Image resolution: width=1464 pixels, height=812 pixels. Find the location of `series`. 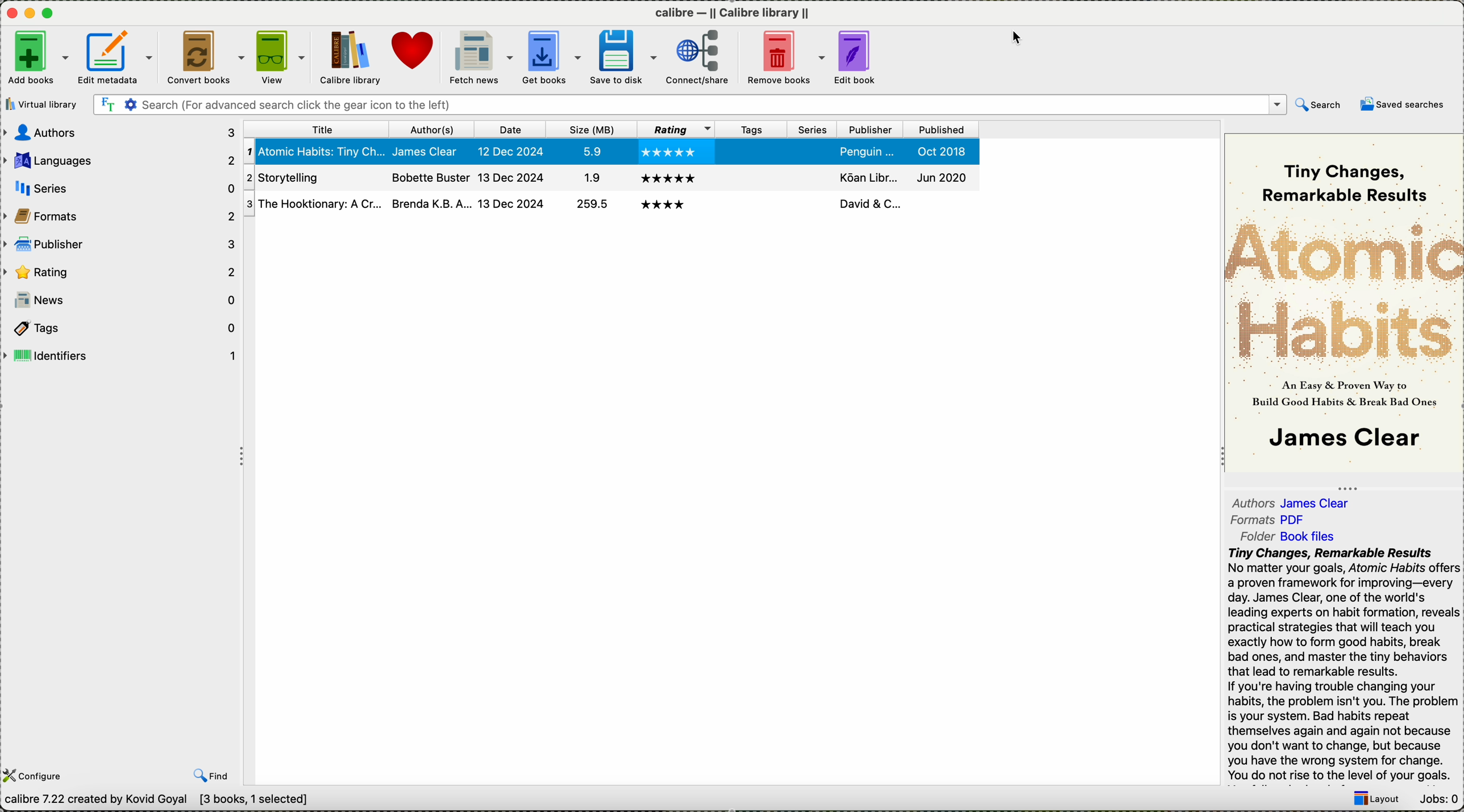

series is located at coordinates (122, 188).